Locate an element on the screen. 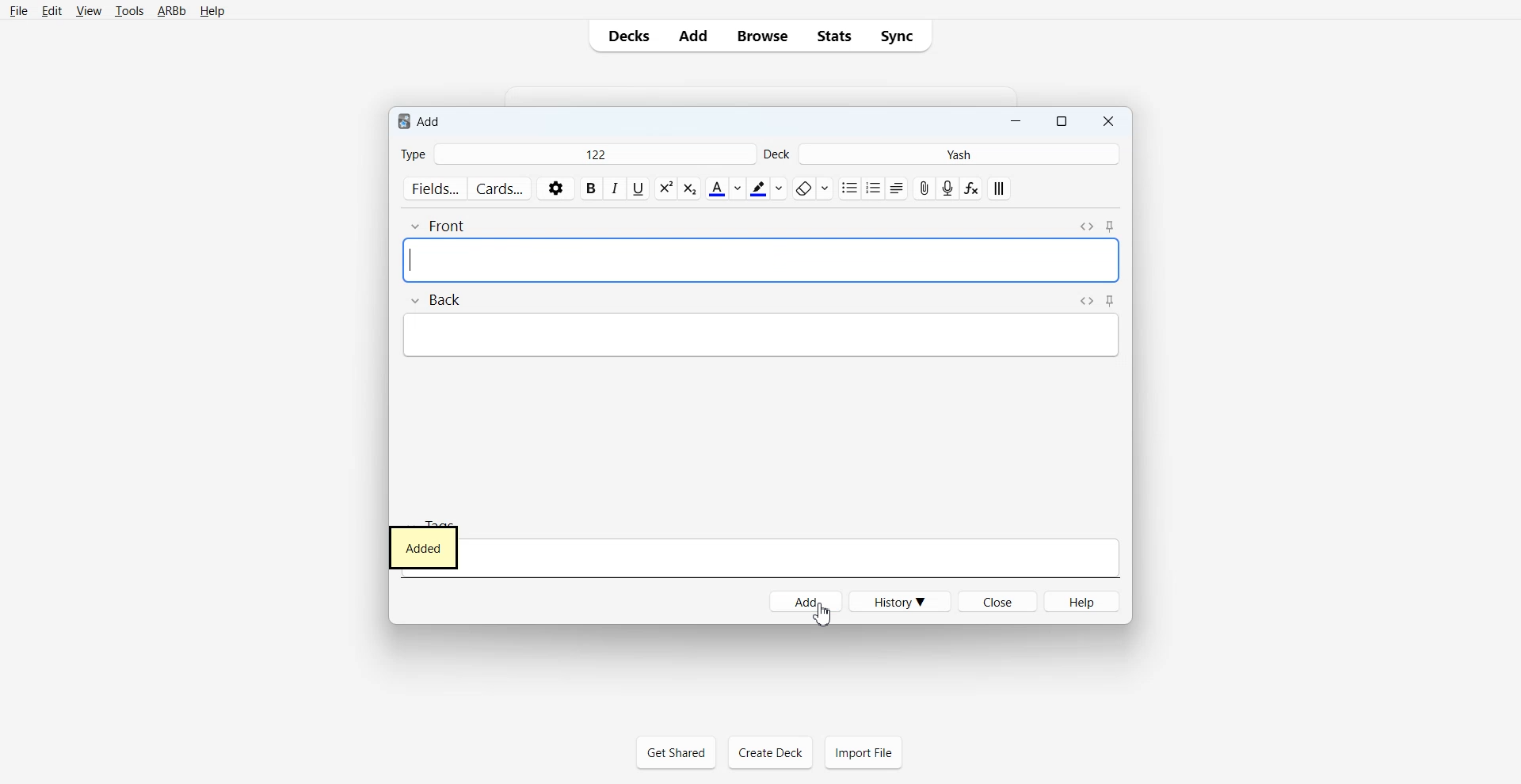  back is located at coordinates (452, 299).